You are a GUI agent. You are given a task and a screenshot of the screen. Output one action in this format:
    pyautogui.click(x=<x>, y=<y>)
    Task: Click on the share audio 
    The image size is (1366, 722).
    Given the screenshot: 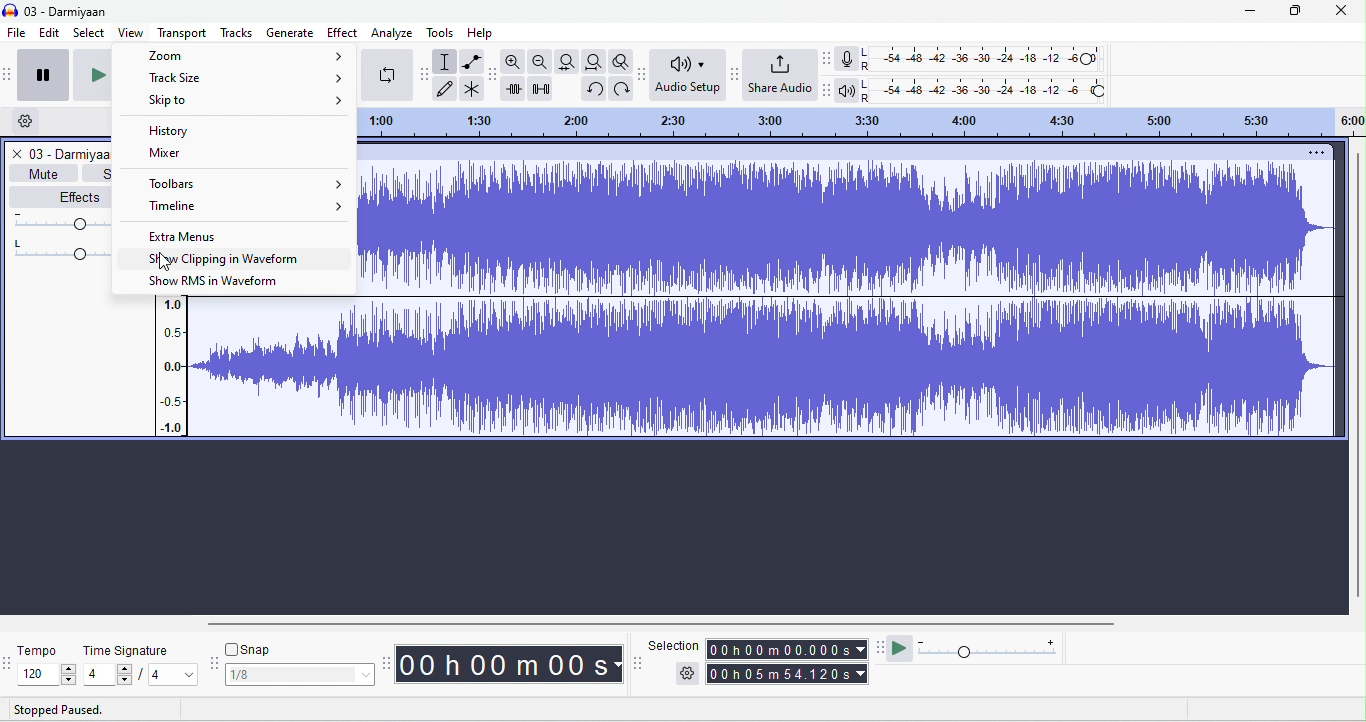 What is the action you would take?
    pyautogui.click(x=782, y=73)
    